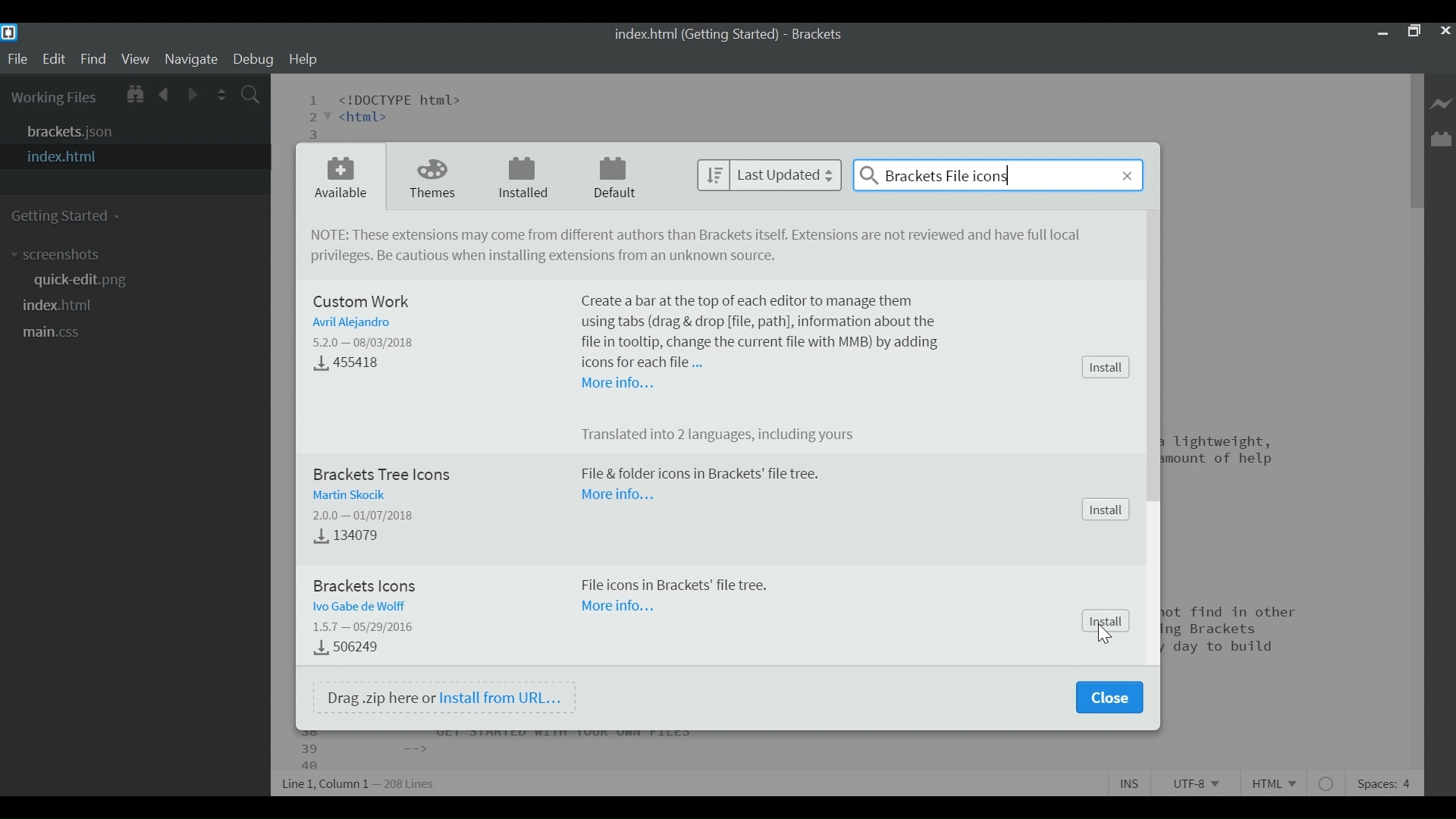 The image size is (1456, 819). I want to click on Find, so click(93, 60).